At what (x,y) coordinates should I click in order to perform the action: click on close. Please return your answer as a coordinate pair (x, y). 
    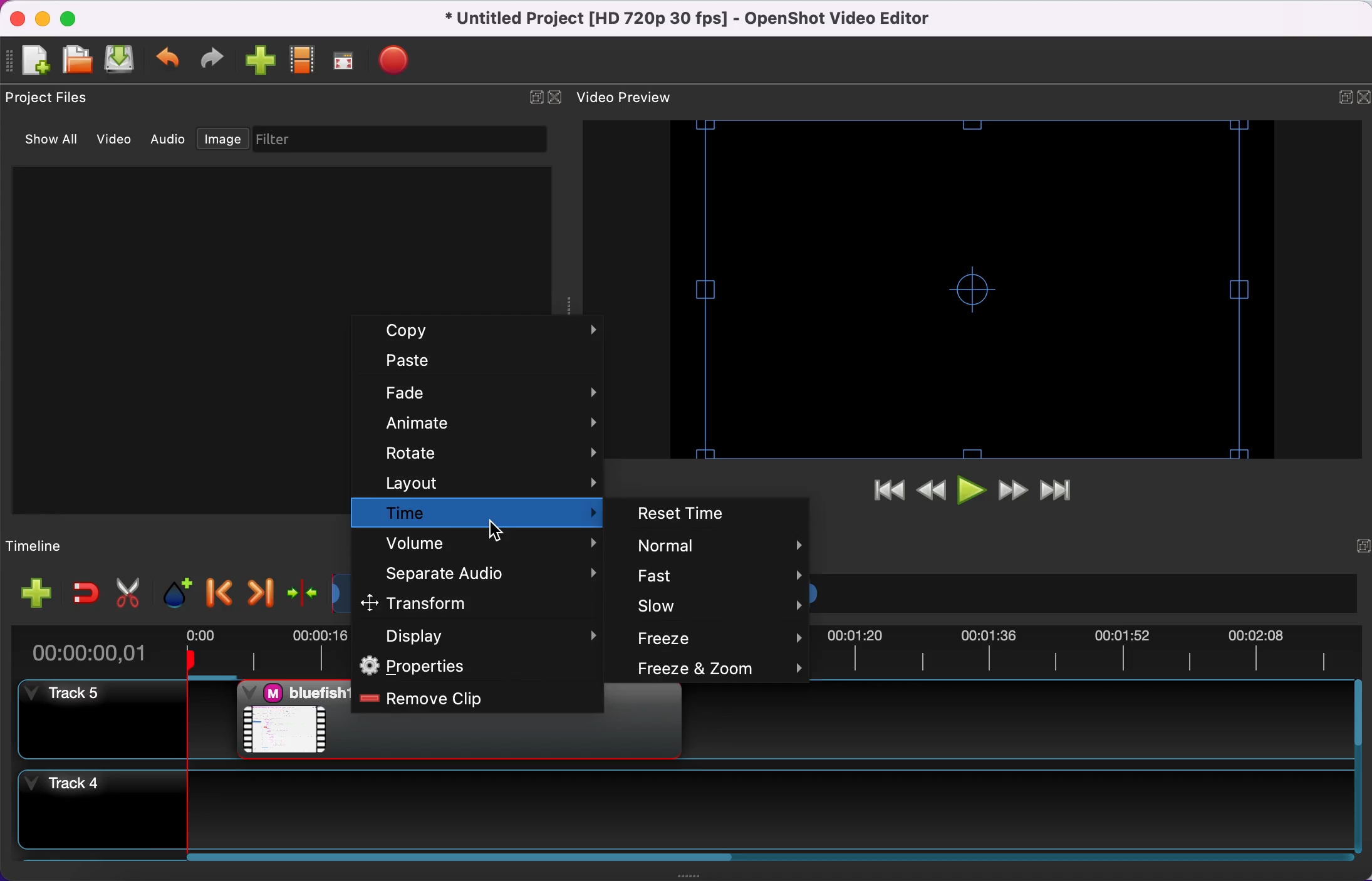
    Looking at the image, I should click on (1363, 98).